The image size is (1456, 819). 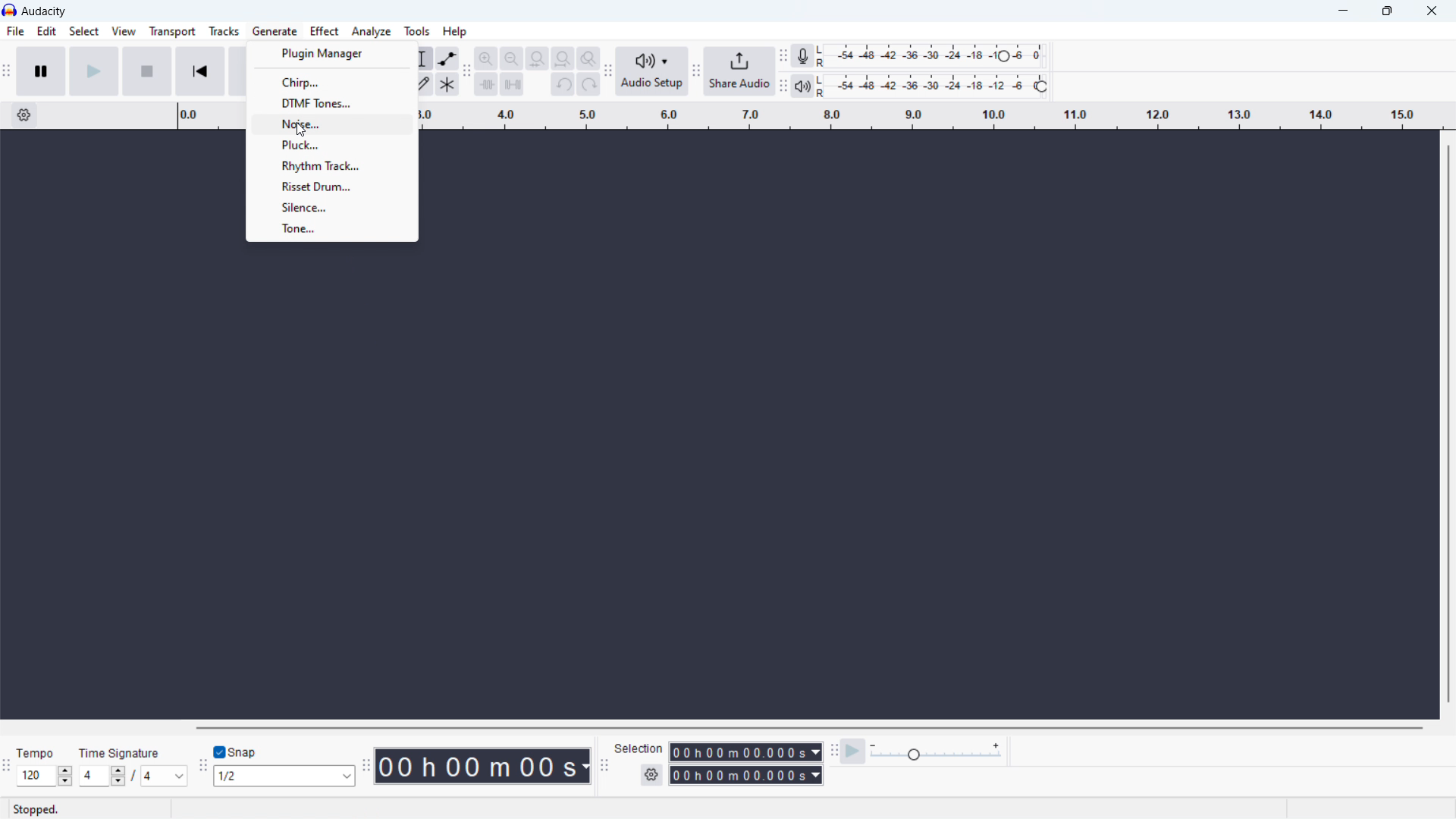 What do you see at coordinates (1447, 422) in the screenshot?
I see `vertical scrollbar` at bounding box center [1447, 422].